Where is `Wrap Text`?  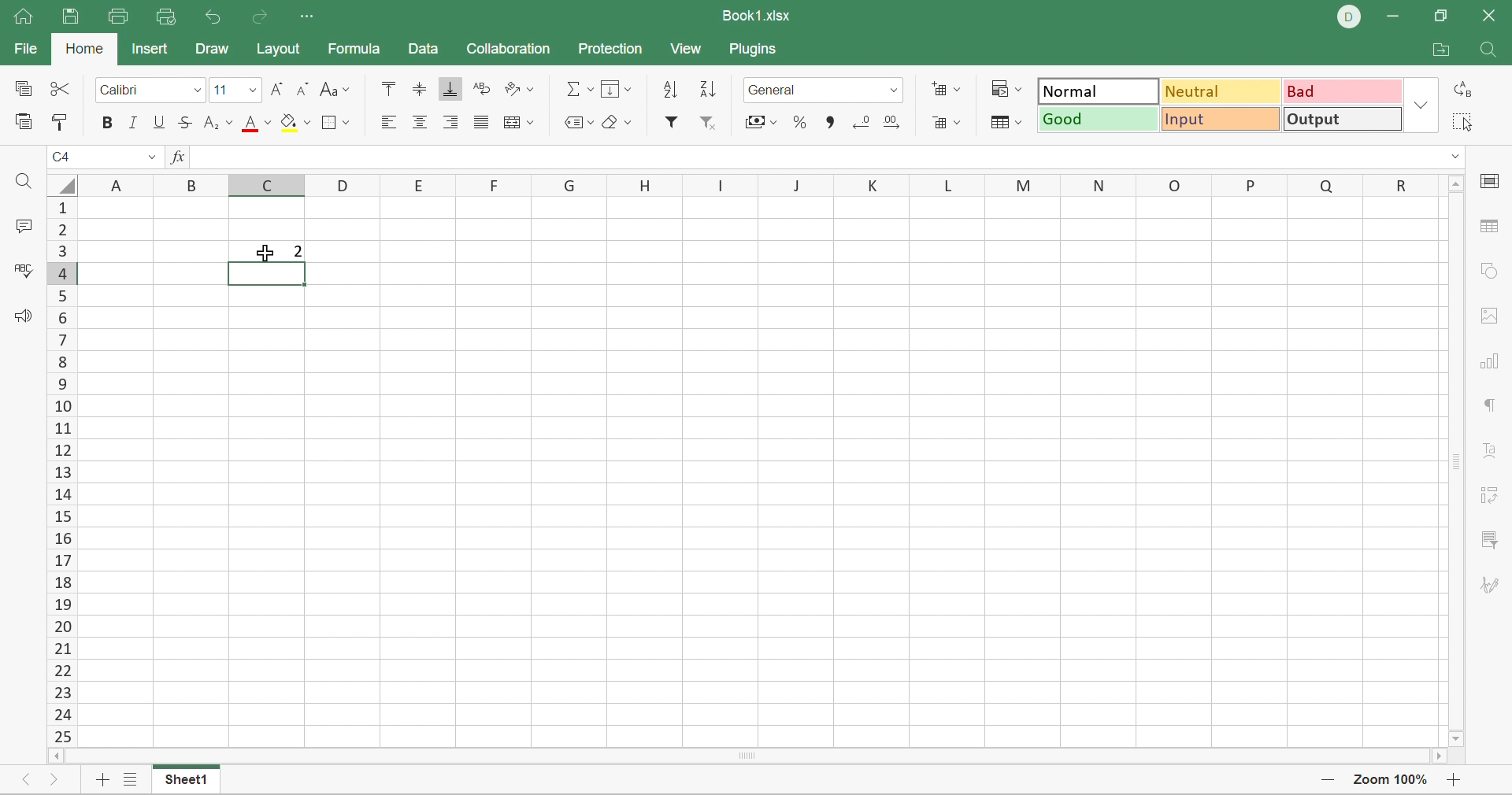 Wrap Text is located at coordinates (481, 90).